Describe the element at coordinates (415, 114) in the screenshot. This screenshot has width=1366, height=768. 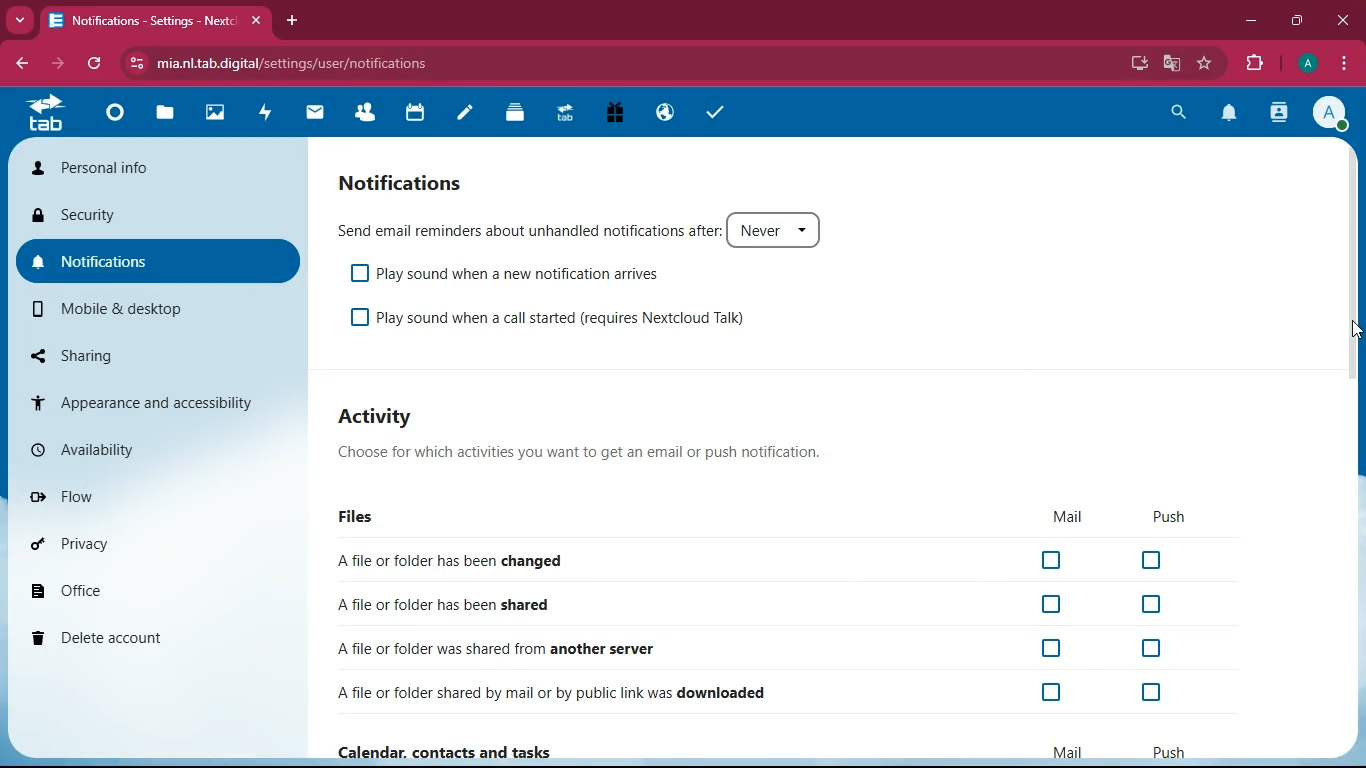
I see `calendar` at that location.